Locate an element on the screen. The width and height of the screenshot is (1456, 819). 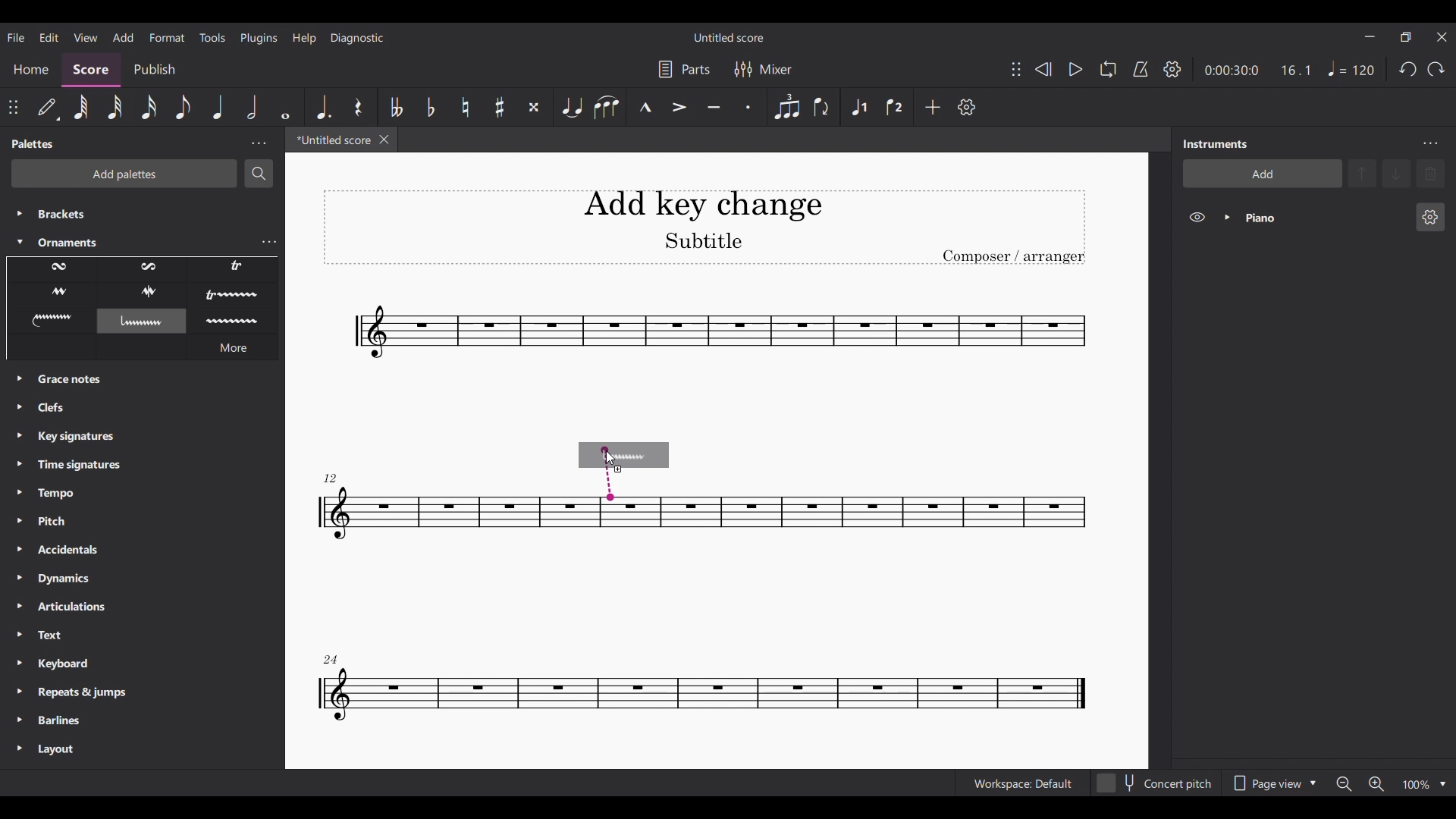
Search palette is located at coordinates (258, 174).